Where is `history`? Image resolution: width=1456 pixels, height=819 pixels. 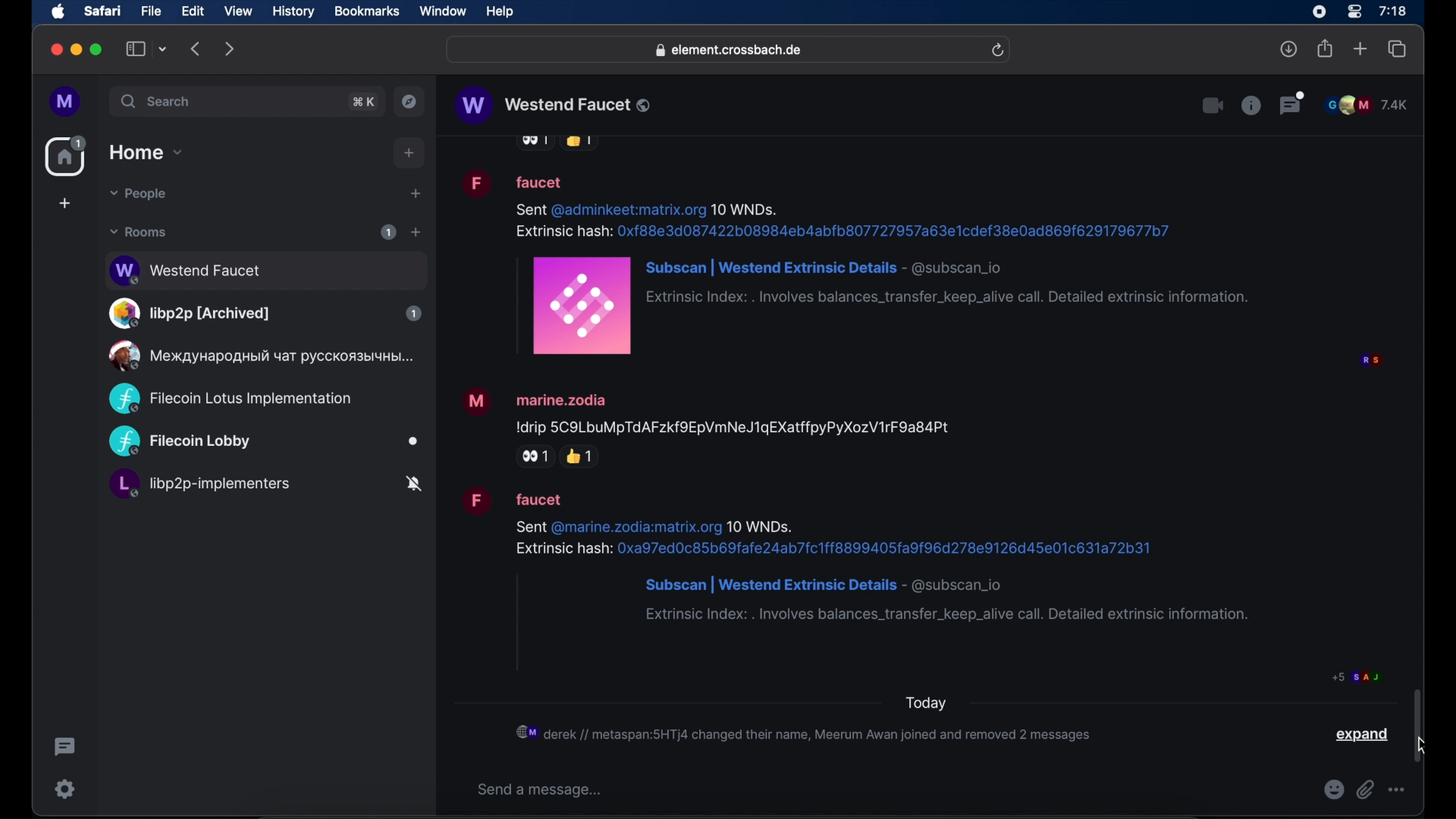
history is located at coordinates (293, 12).